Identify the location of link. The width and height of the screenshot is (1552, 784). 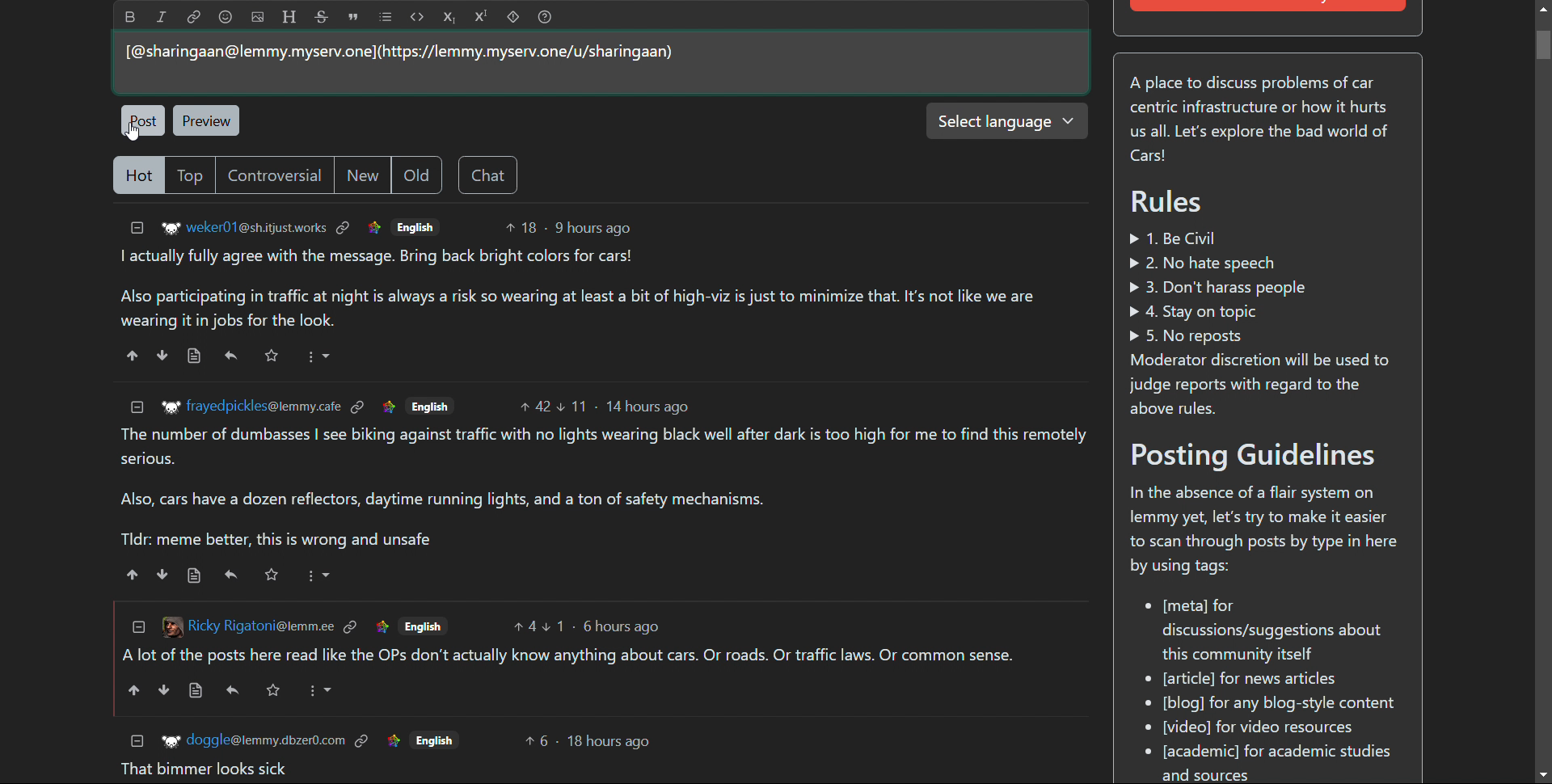
(373, 228).